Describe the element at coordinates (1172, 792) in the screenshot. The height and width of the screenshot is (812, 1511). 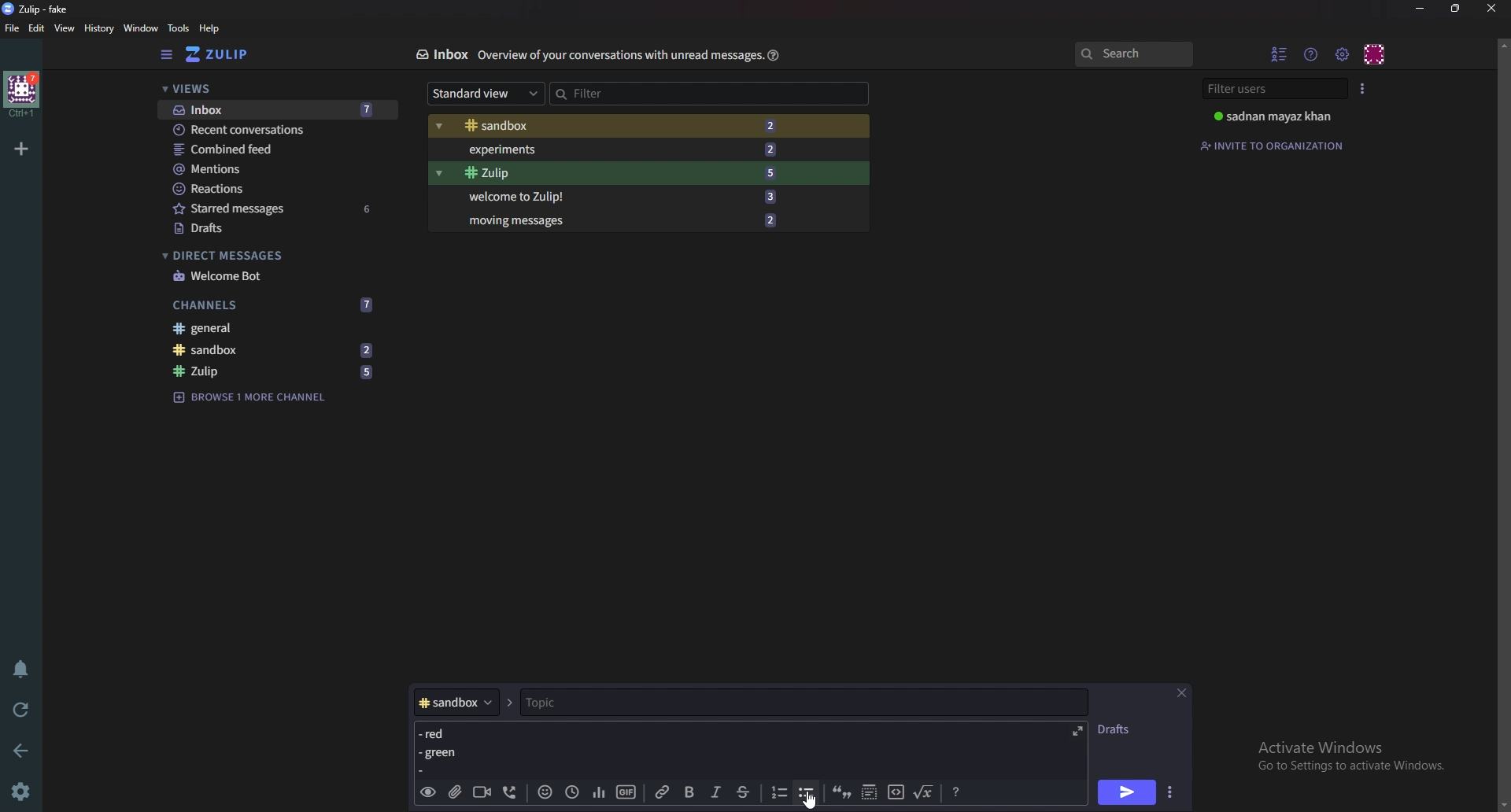
I see `Send options` at that location.